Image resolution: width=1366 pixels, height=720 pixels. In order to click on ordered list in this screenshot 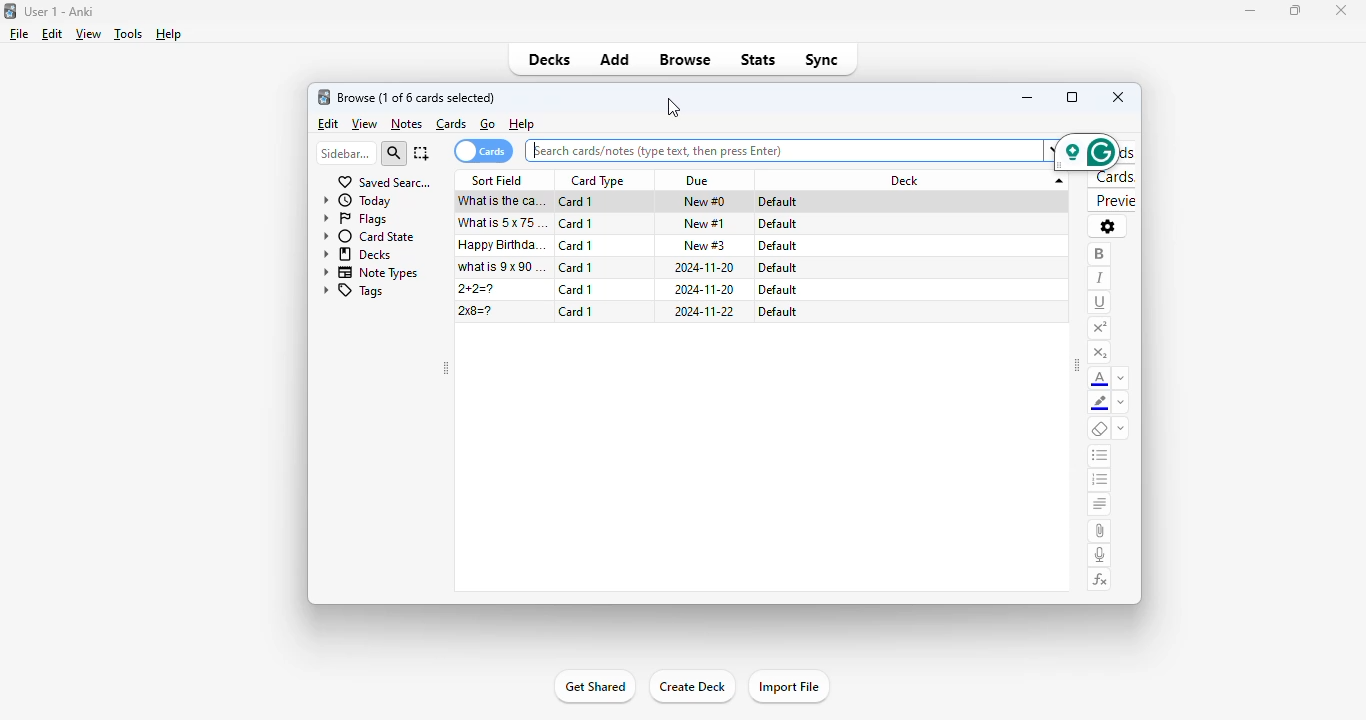, I will do `click(1100, 481)`.